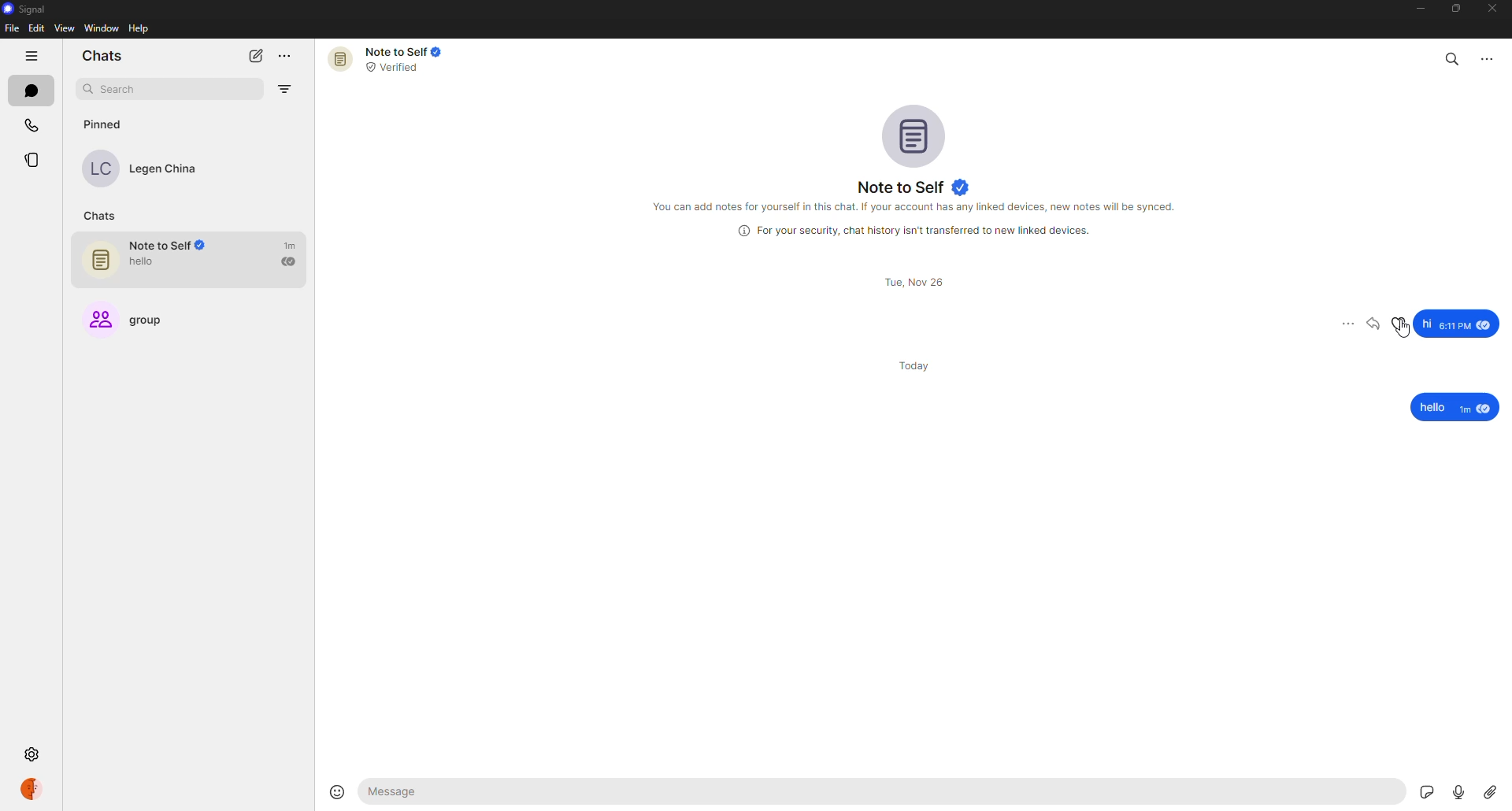  What do you see at coordinates (36, 28) in the screenshot?
I see `edit` at bounding box center [36, 28].